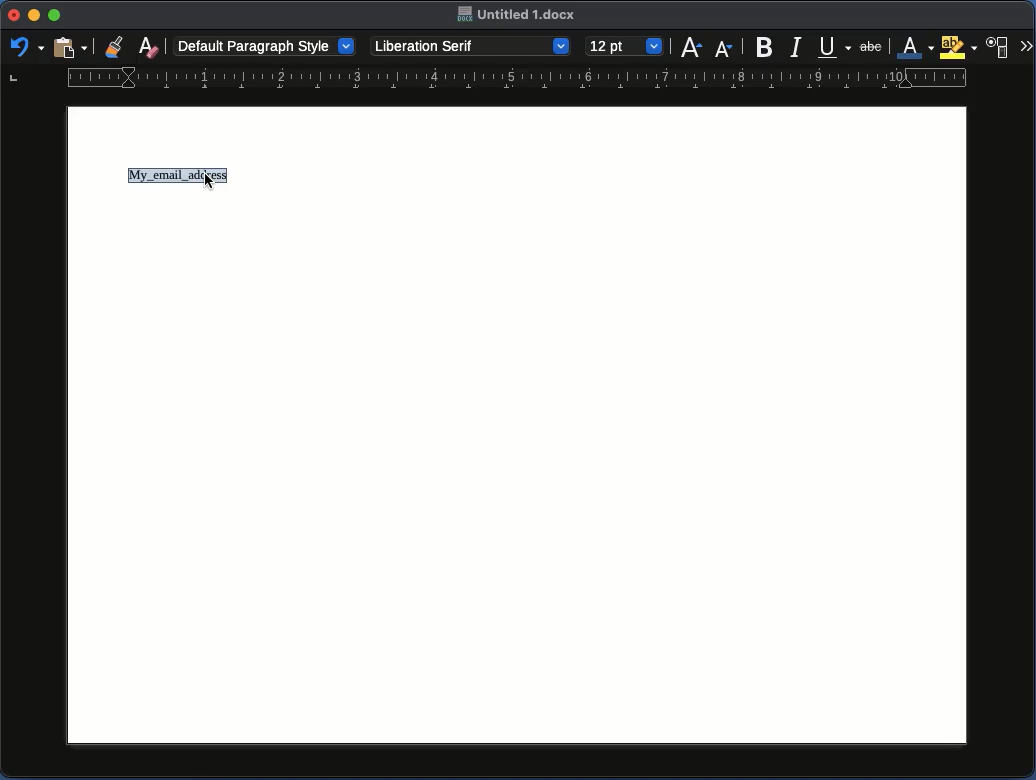 Image resolution: width=1036 pixels, height=780 pixels. What do you see at coordinates (25, 46) in the screenshot?
I see `Redo` at bounding box center [25, 46].